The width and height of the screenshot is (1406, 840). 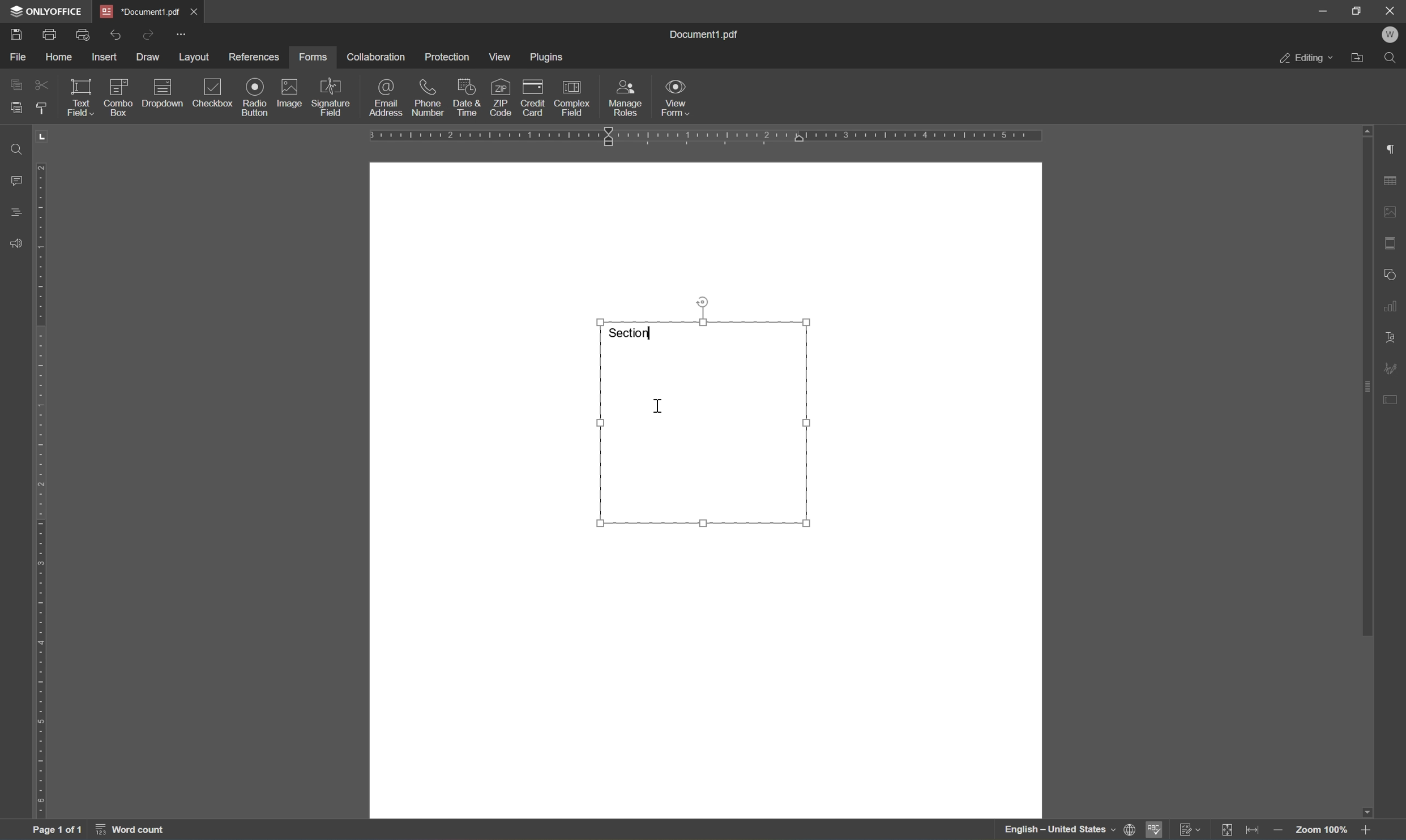 I want to click on scroll bar, so click(x=1366, y=381).